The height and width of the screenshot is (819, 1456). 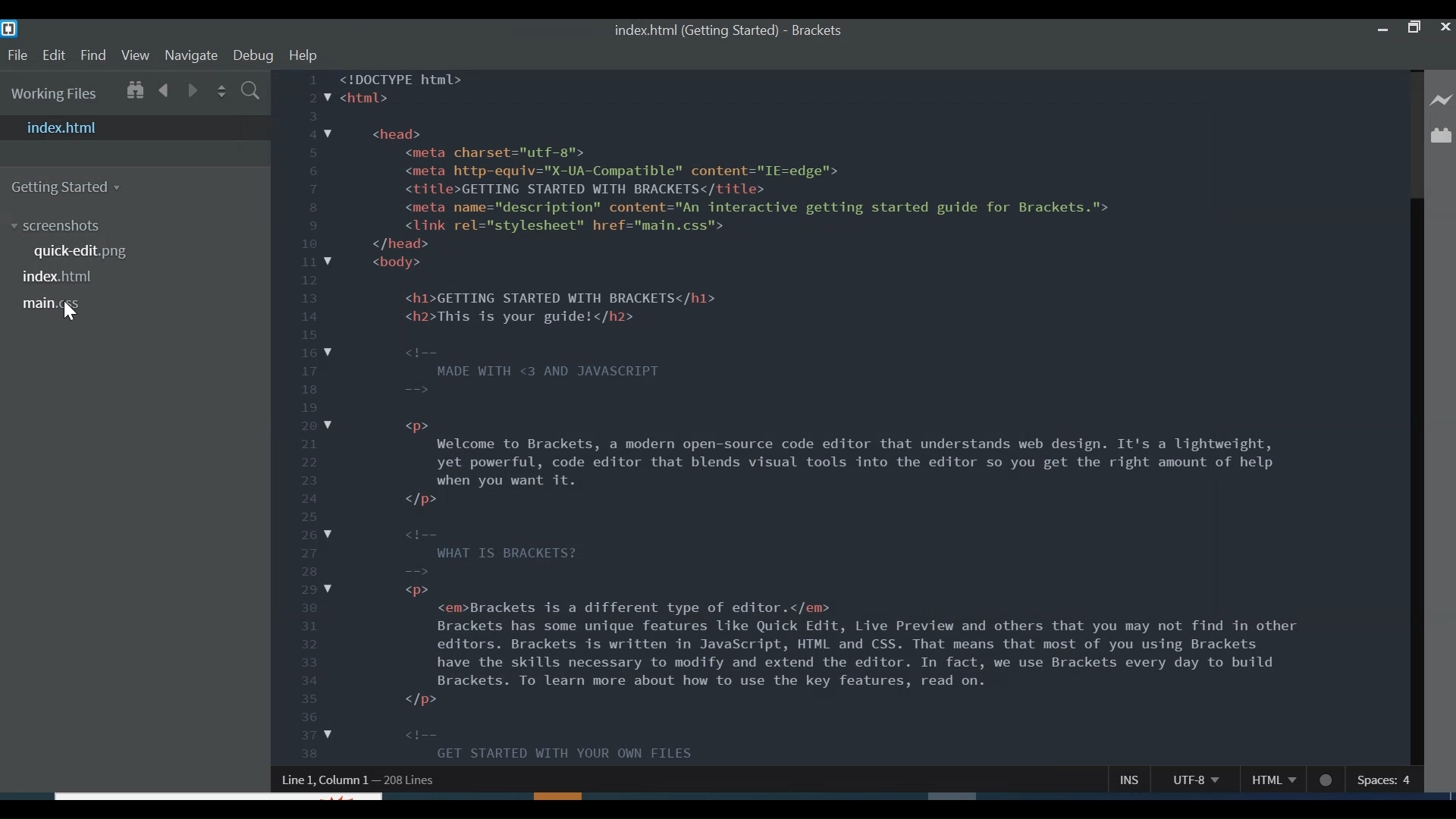 I want to click on File, so click(x=17, y=56).